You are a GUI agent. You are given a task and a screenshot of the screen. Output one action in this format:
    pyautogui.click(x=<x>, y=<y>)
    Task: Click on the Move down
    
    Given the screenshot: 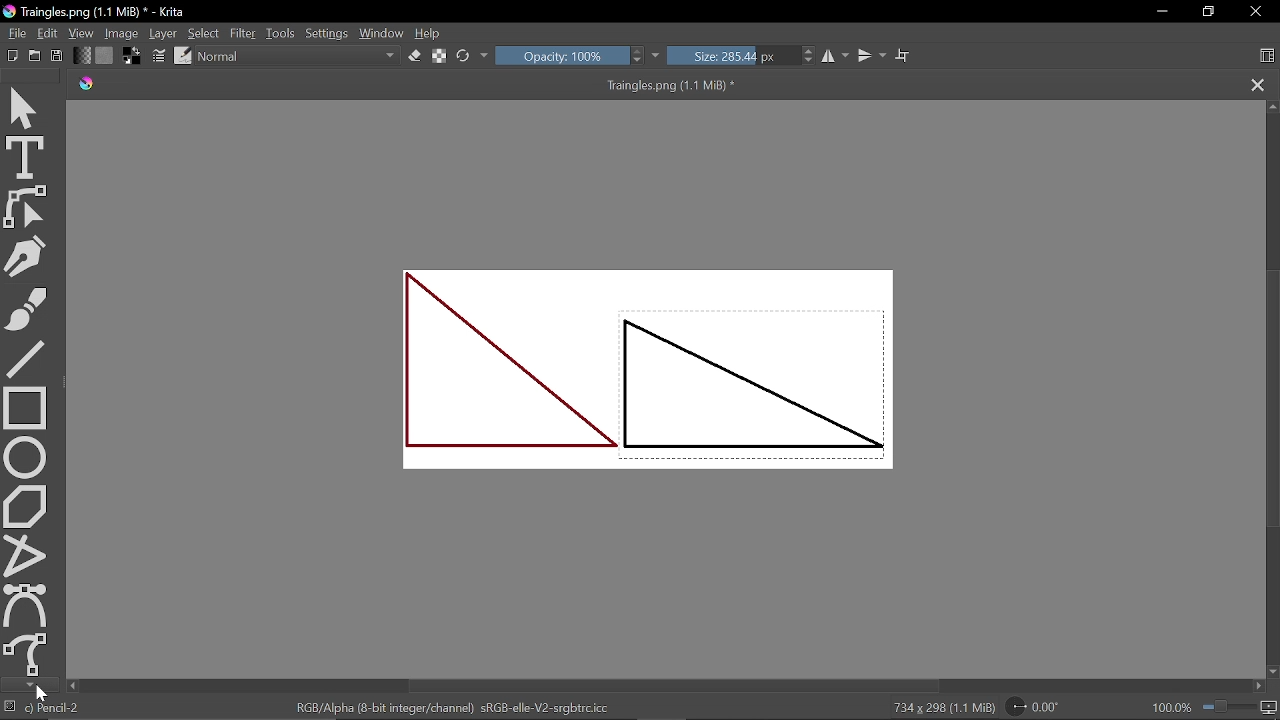 What is the action you would take?
    pyautogui.click(x=1272, y=672)
    